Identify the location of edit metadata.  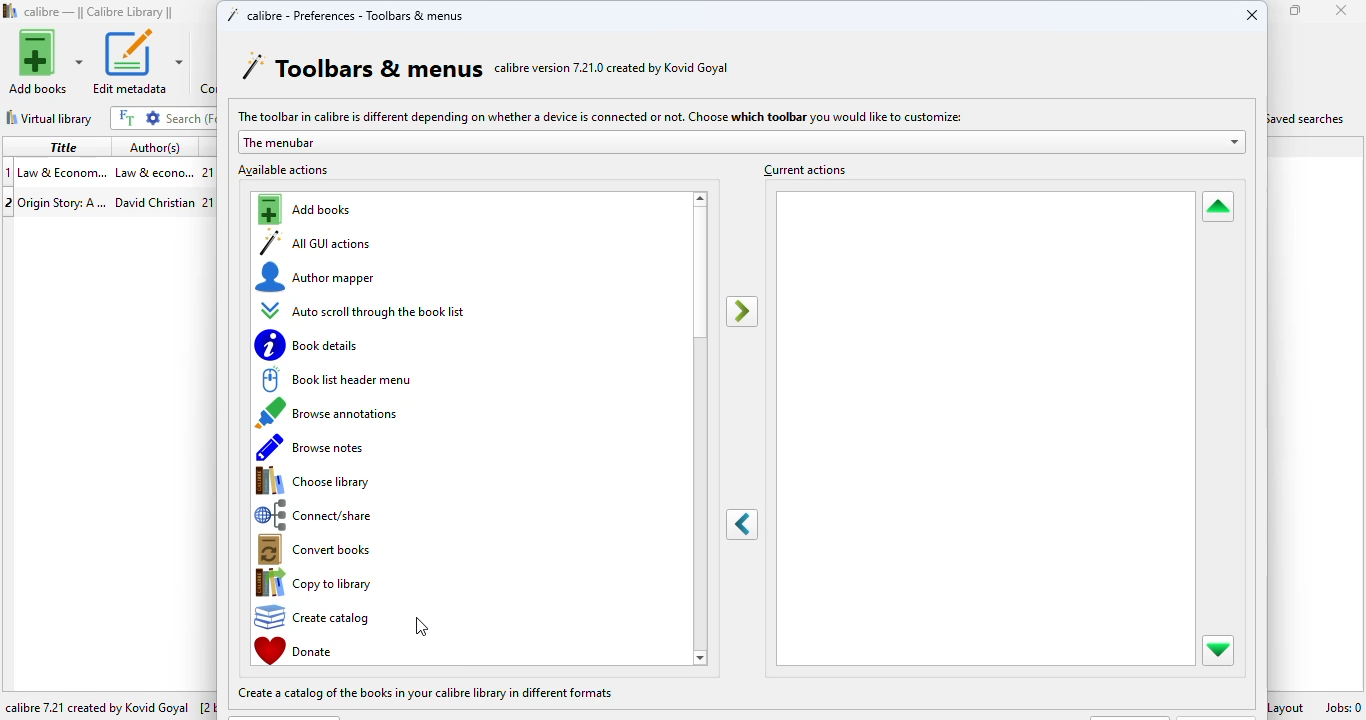
(137, 62).